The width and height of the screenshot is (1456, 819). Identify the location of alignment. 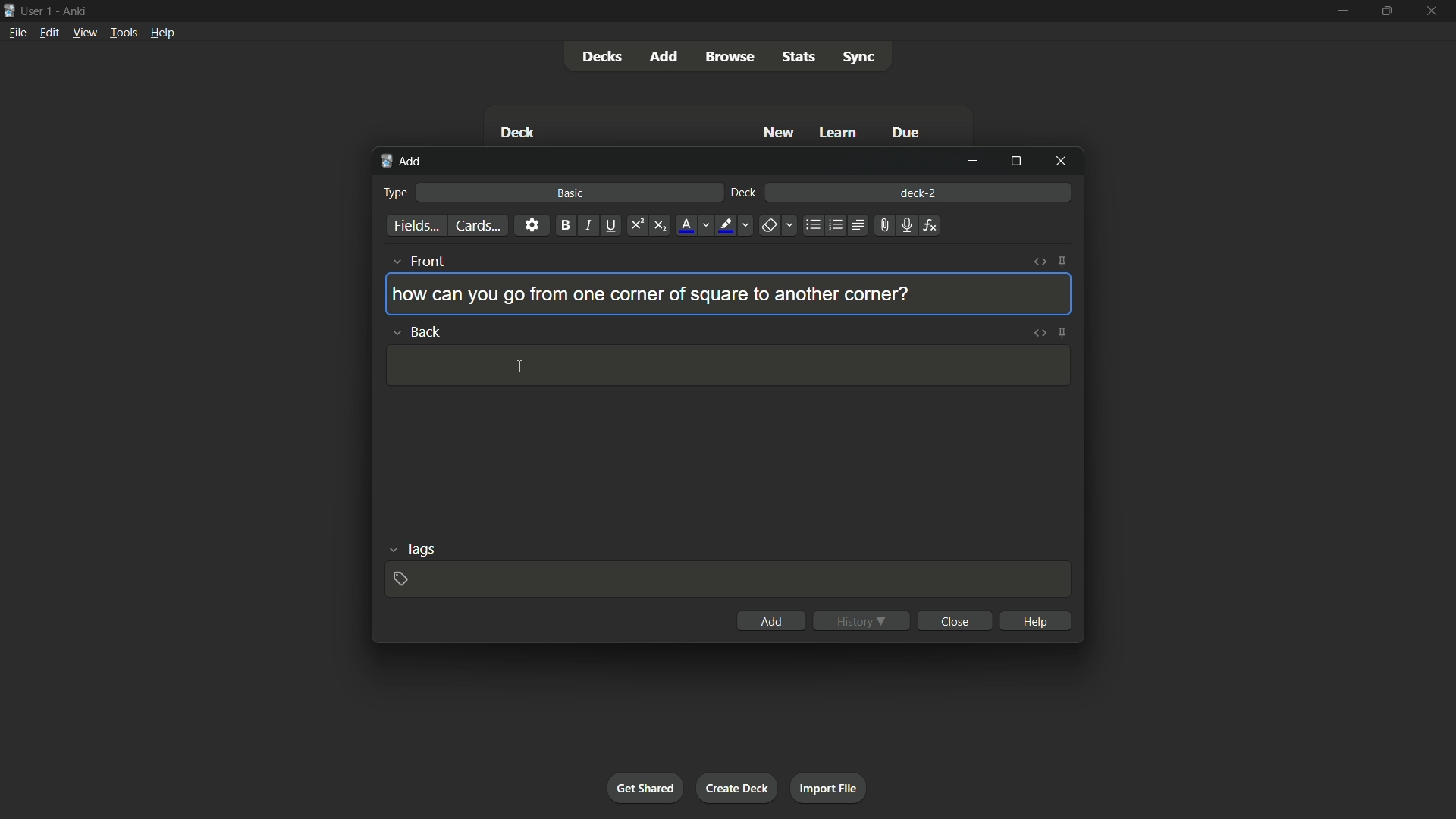
(859, 224).